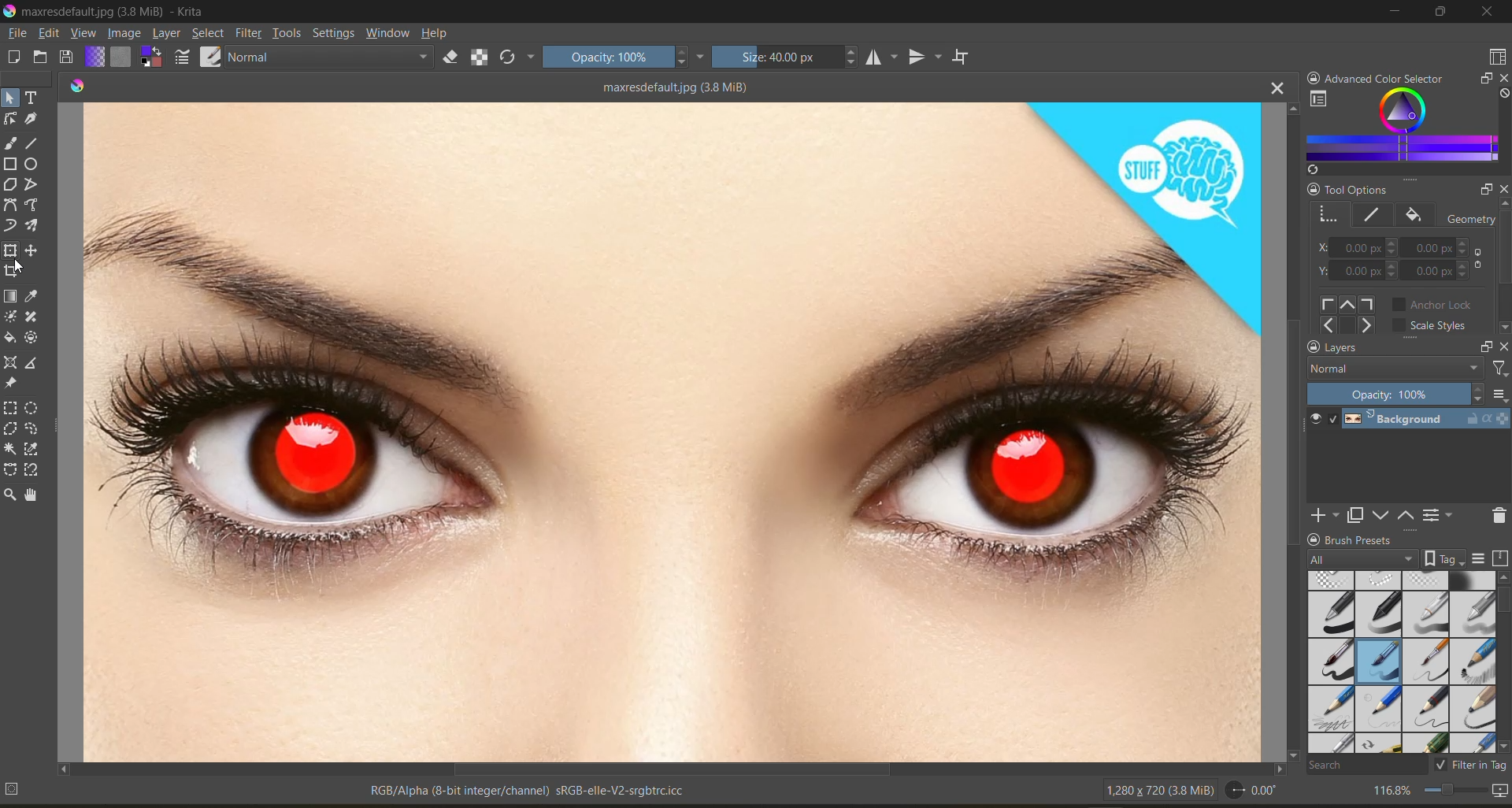 This screenshot has height=808, width=1512. I want to click on tool, so click(33, 143).